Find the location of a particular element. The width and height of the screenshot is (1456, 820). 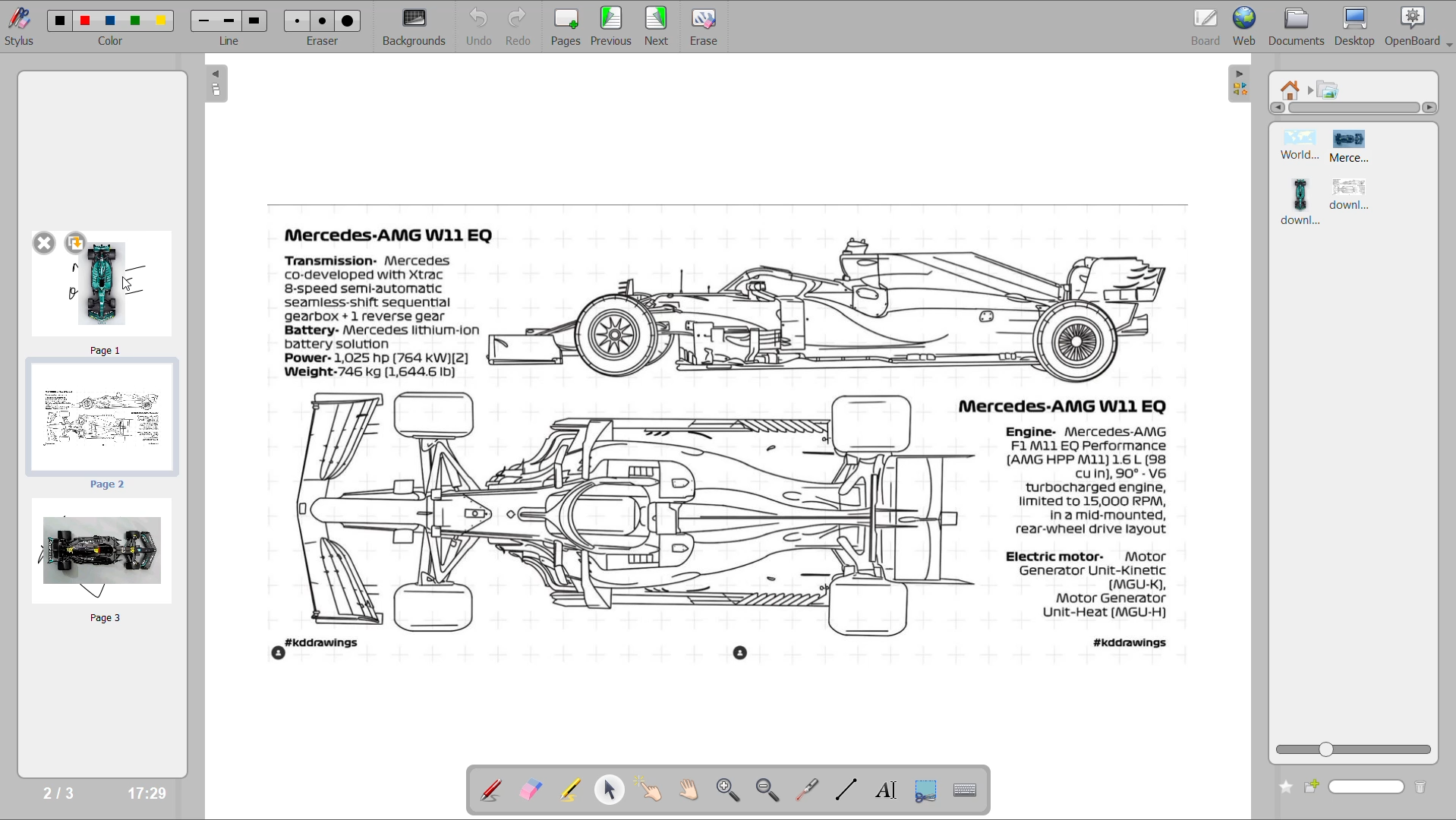

color 4 is located at coordinates (135, 21).